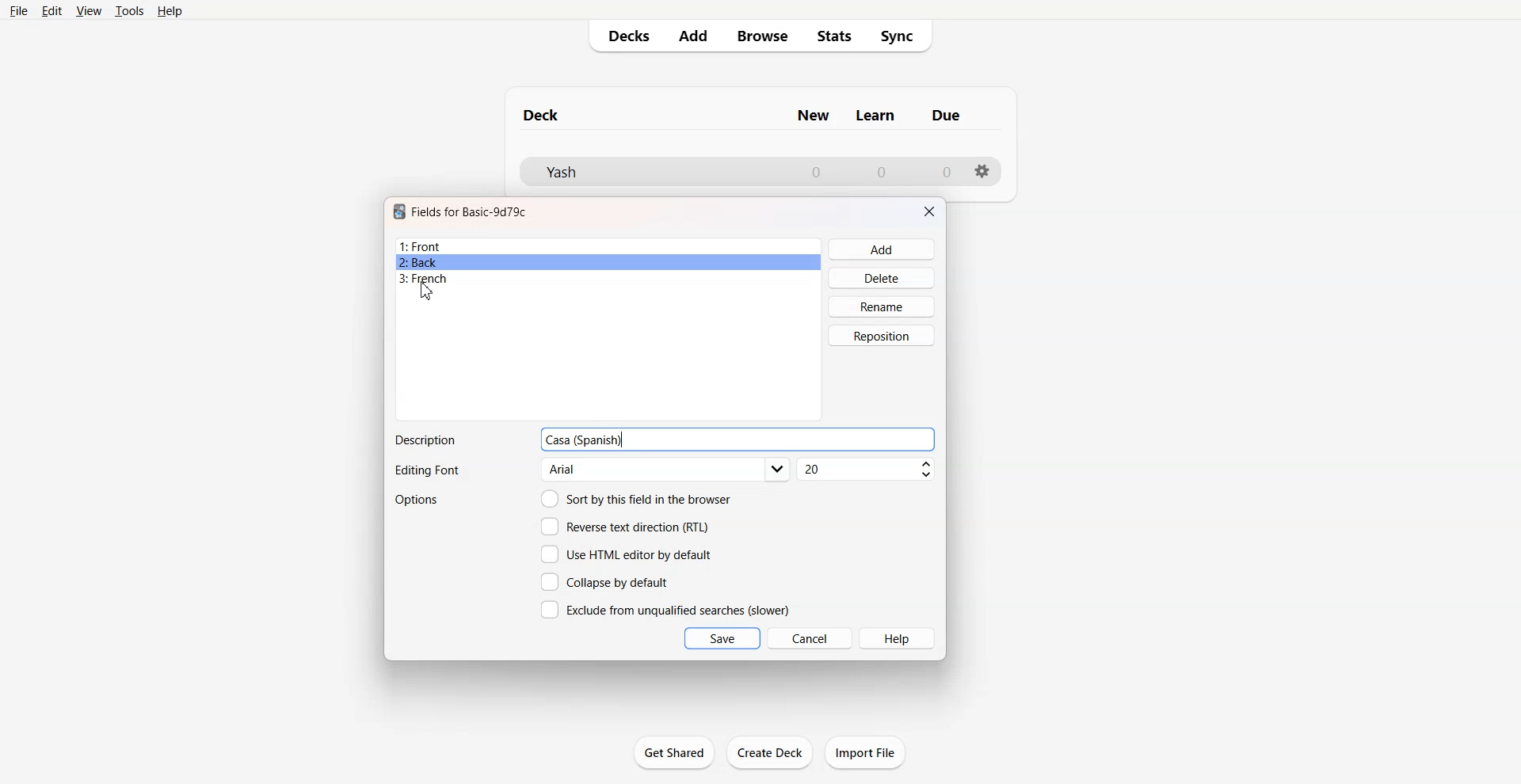 This screenshot has width=1521, height=784. What do you see at coordinates (399, 211) in the screenshot?
I see `Software logo` at bounding box center [399, 211].